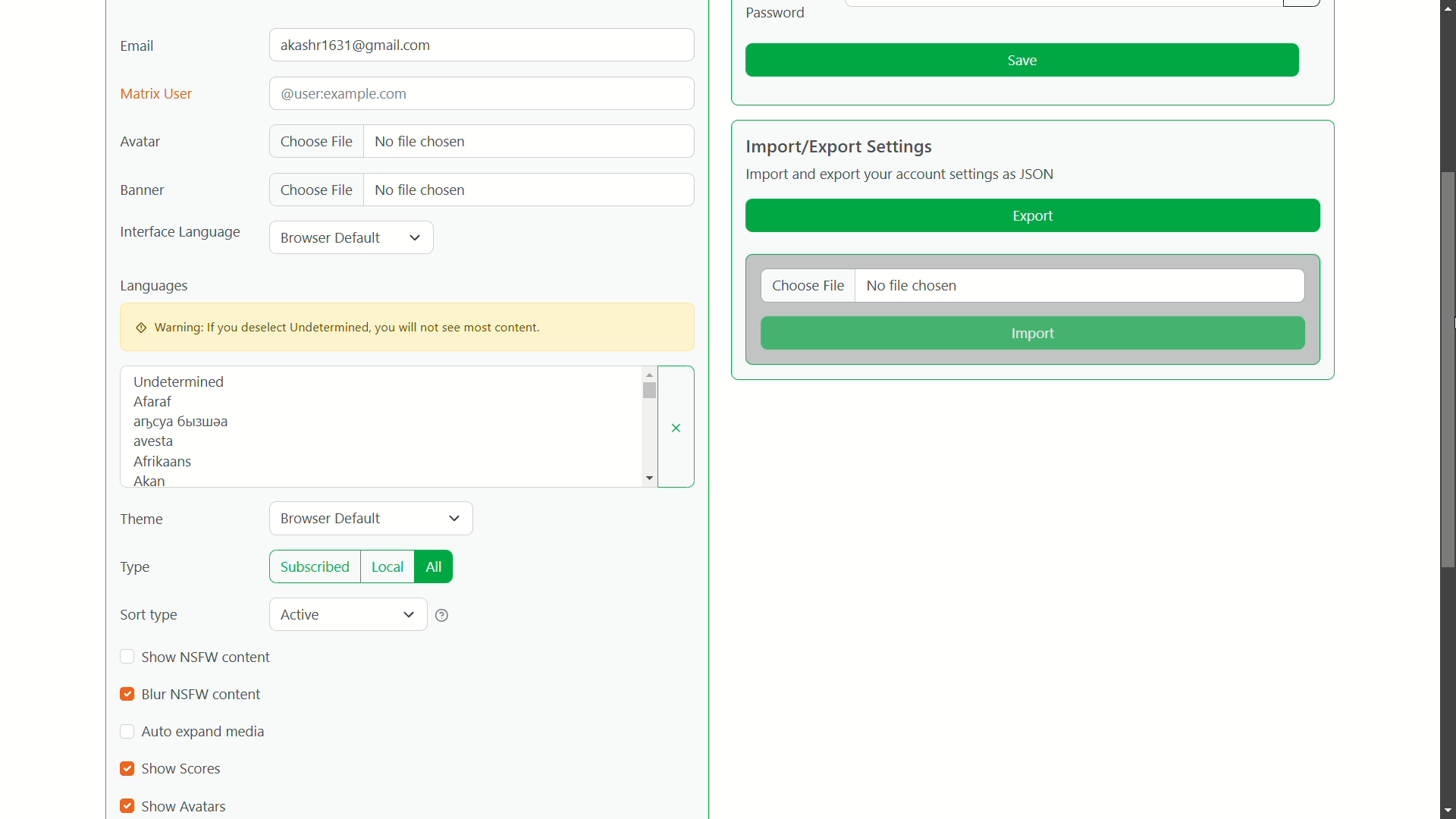 The height and width of the screenshot is (819, 1456). Describe the element at coordinates (677, 428) in the screenshot. I see `close` at that location.